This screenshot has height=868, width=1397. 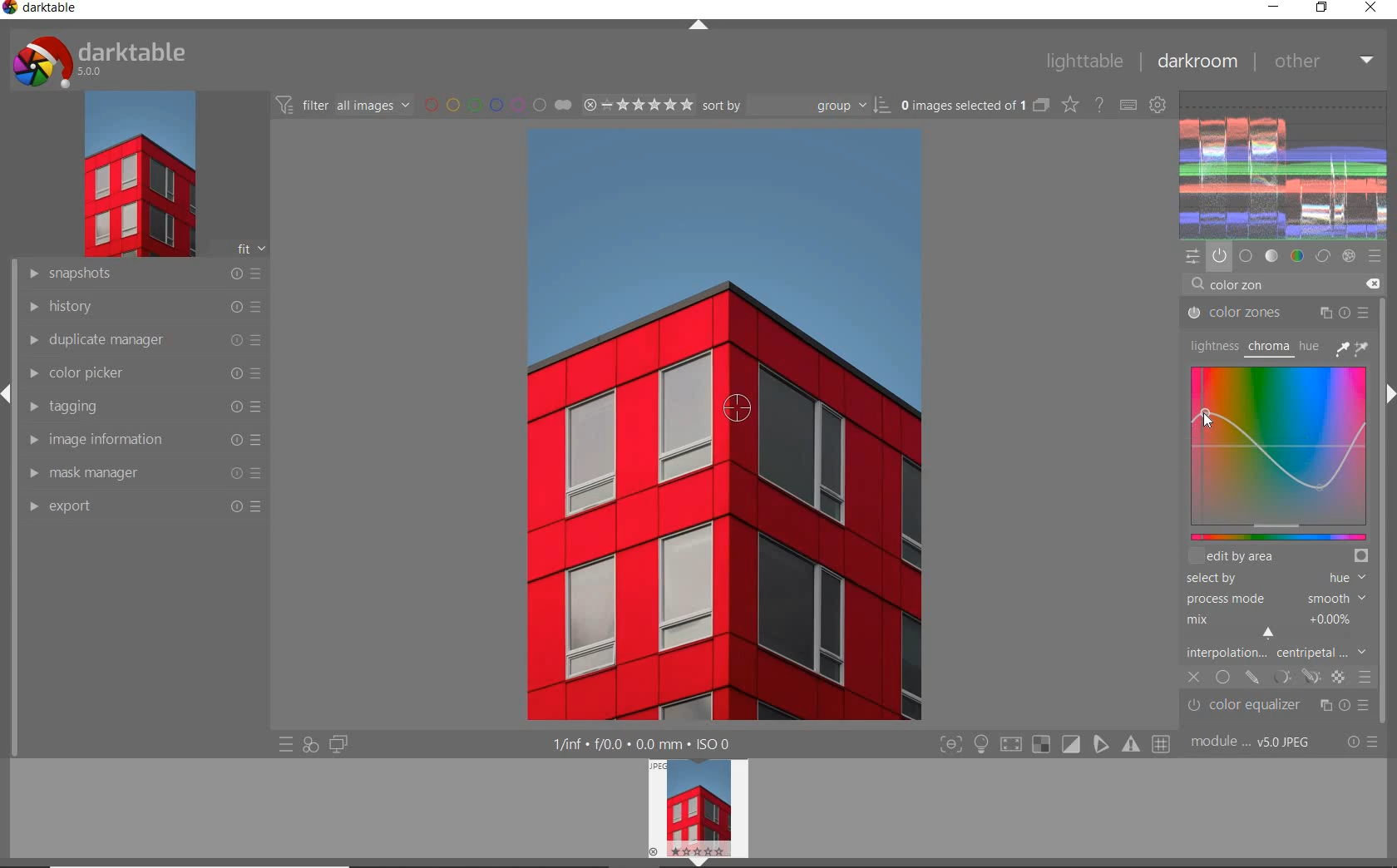 What do you see at coordinates (1194, 678) in the screenshot?
I see `CLOSE` at bounding box center [1194, 678].